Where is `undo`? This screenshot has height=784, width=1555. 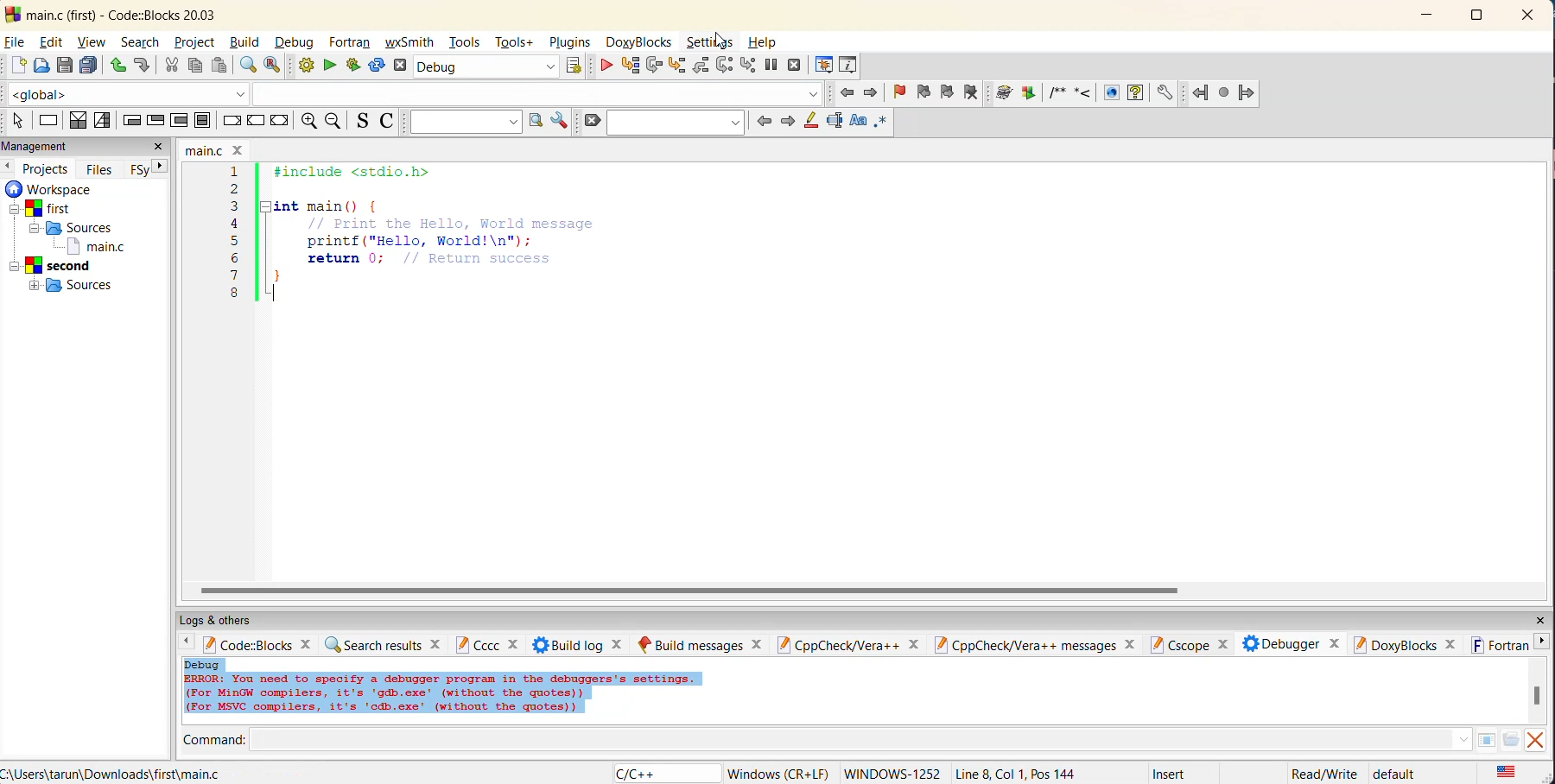
undo is located at coordinates (119, 66).